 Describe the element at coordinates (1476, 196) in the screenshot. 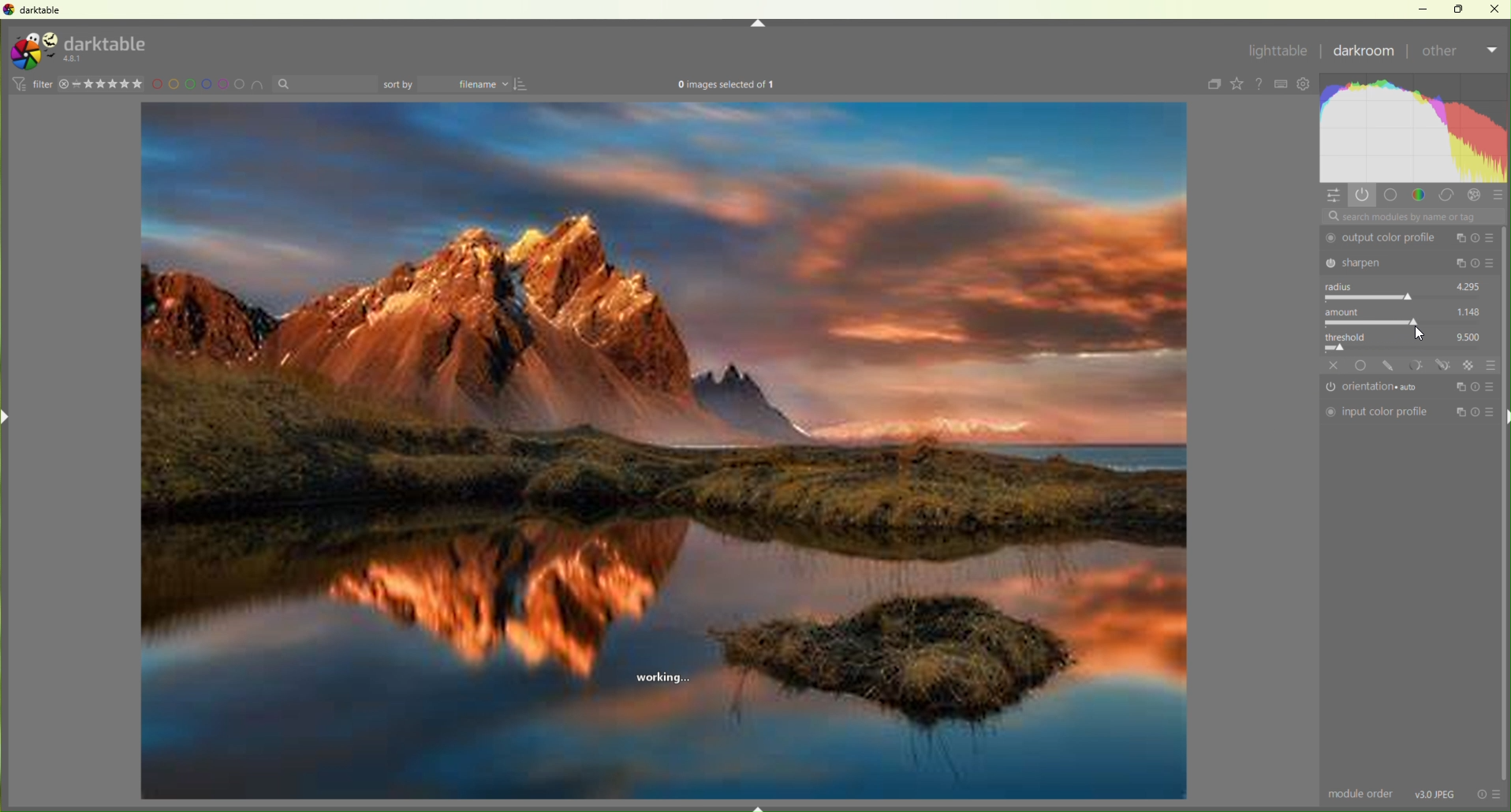

I see `Effects` at that location.